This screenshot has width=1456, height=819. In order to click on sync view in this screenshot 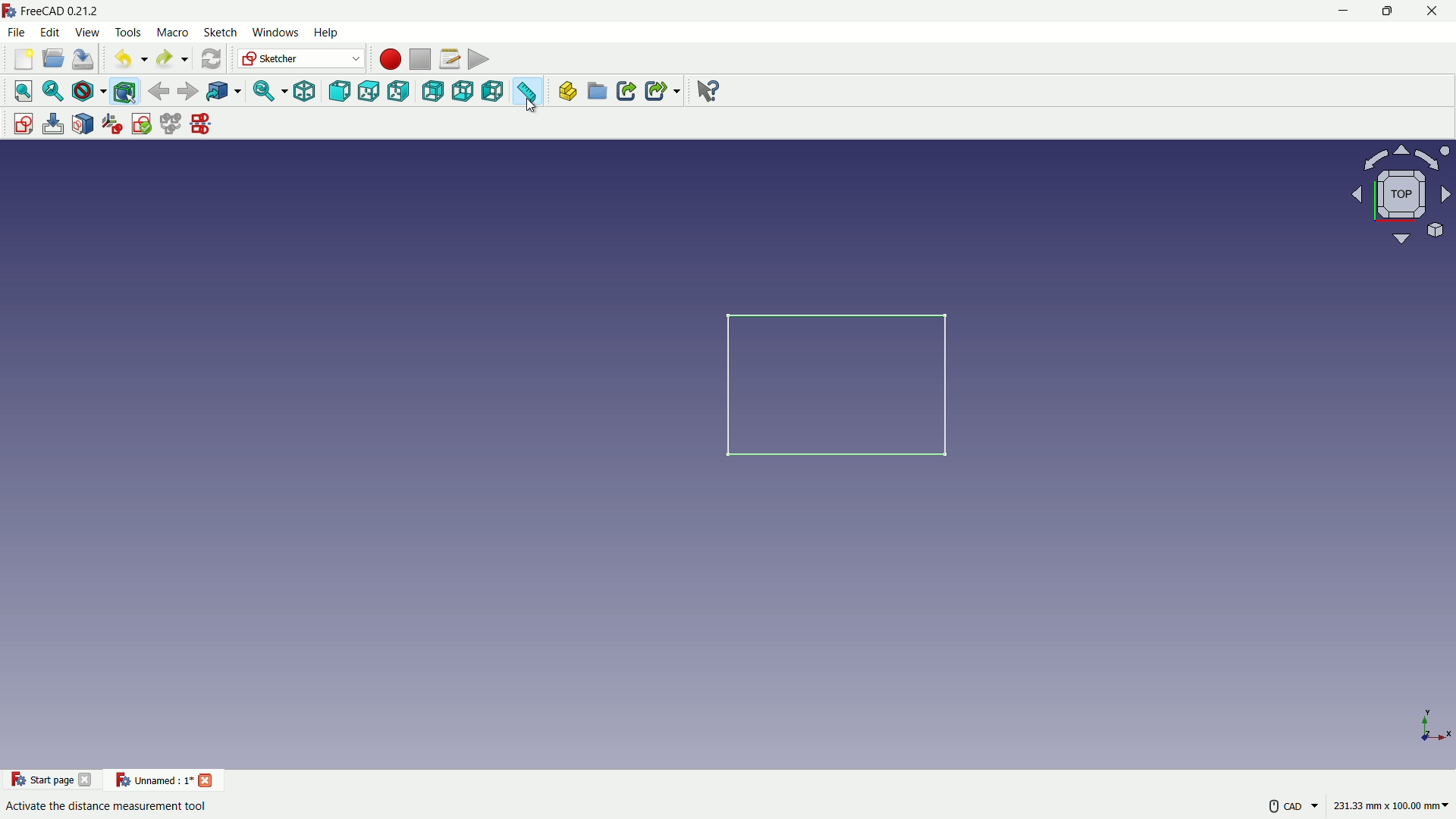, I will do `click(265, 92)`.